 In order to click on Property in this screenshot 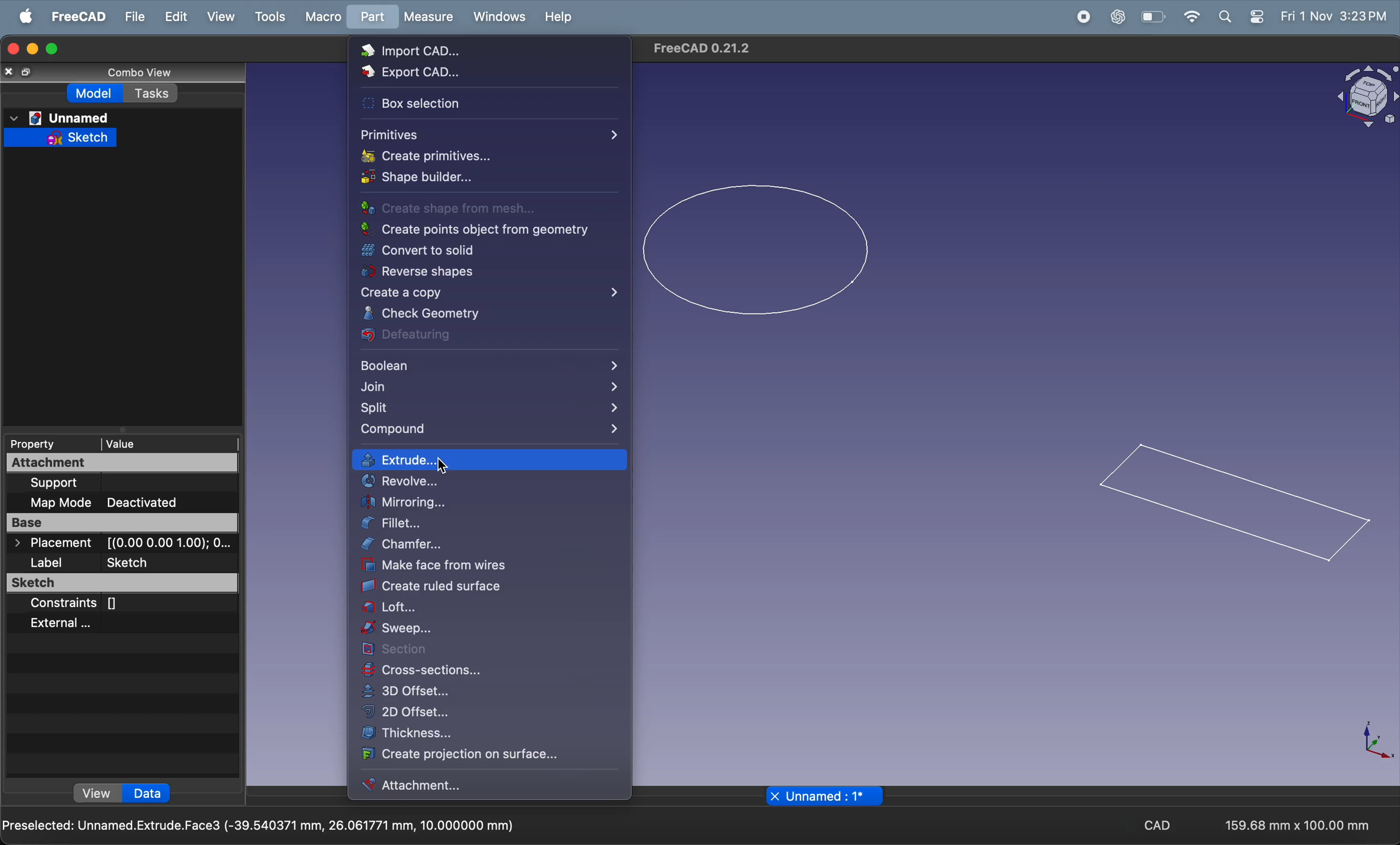, I will do `click(39, 444)`.